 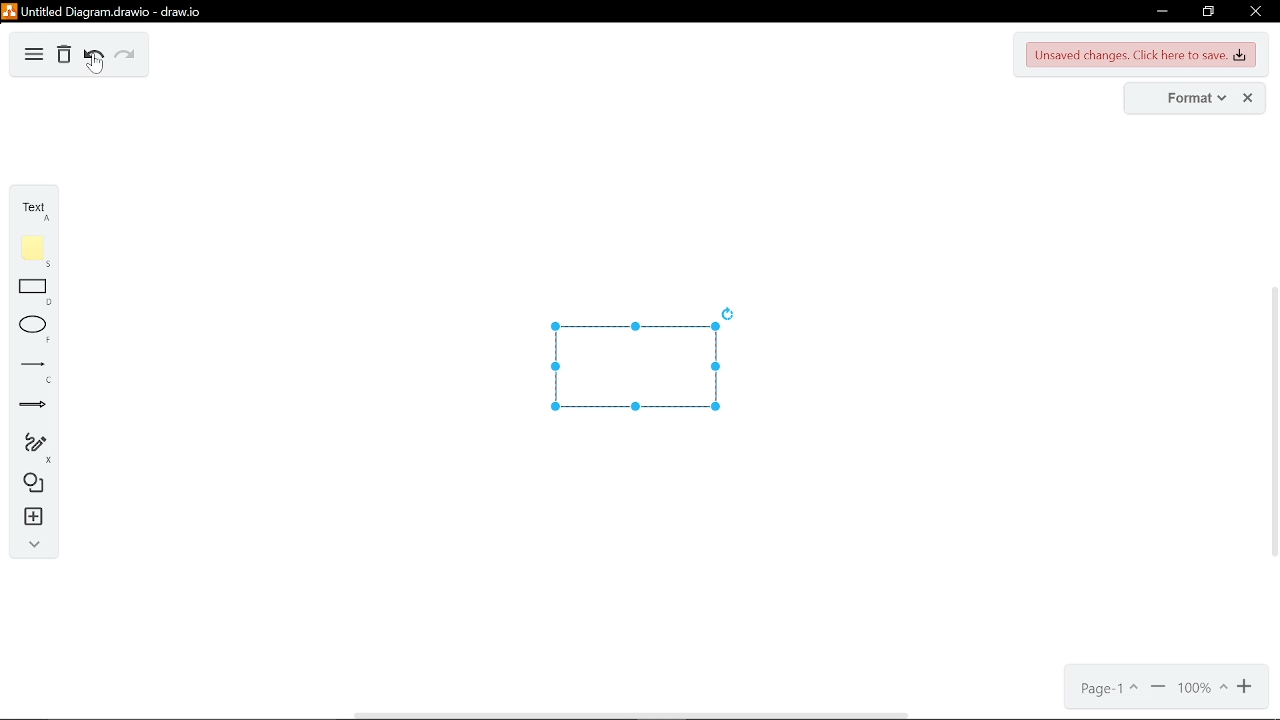 What do you see at coordinates (38, 487) in the screenshot?
I see `shapes` at bounding box center [38, 487].